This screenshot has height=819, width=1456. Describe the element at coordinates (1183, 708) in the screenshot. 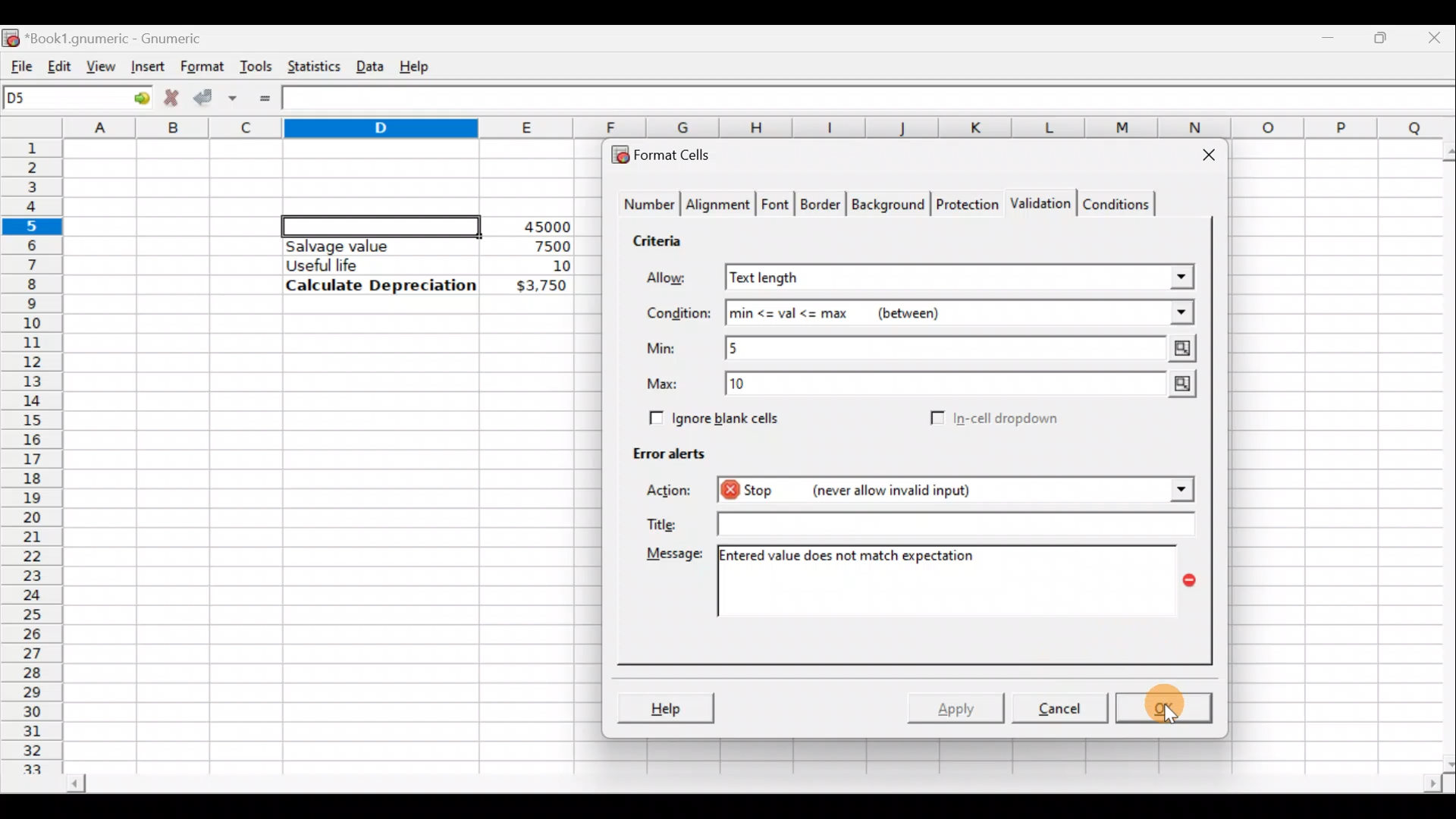

I see `Cursor on OK` at that location.